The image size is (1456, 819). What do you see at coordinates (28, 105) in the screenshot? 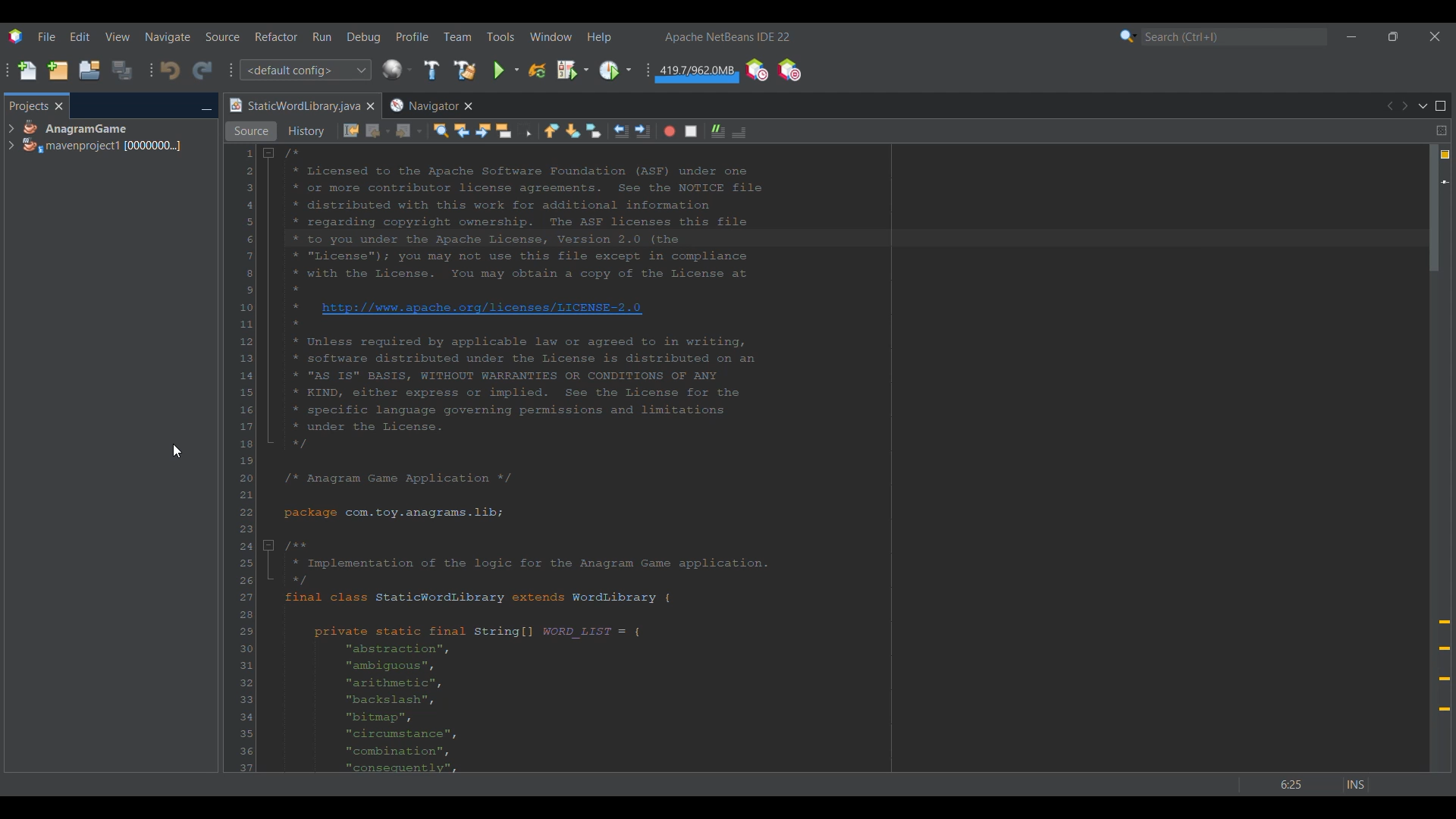
I see `Projects, current tab highlighted` at bounding box center [28, 105].